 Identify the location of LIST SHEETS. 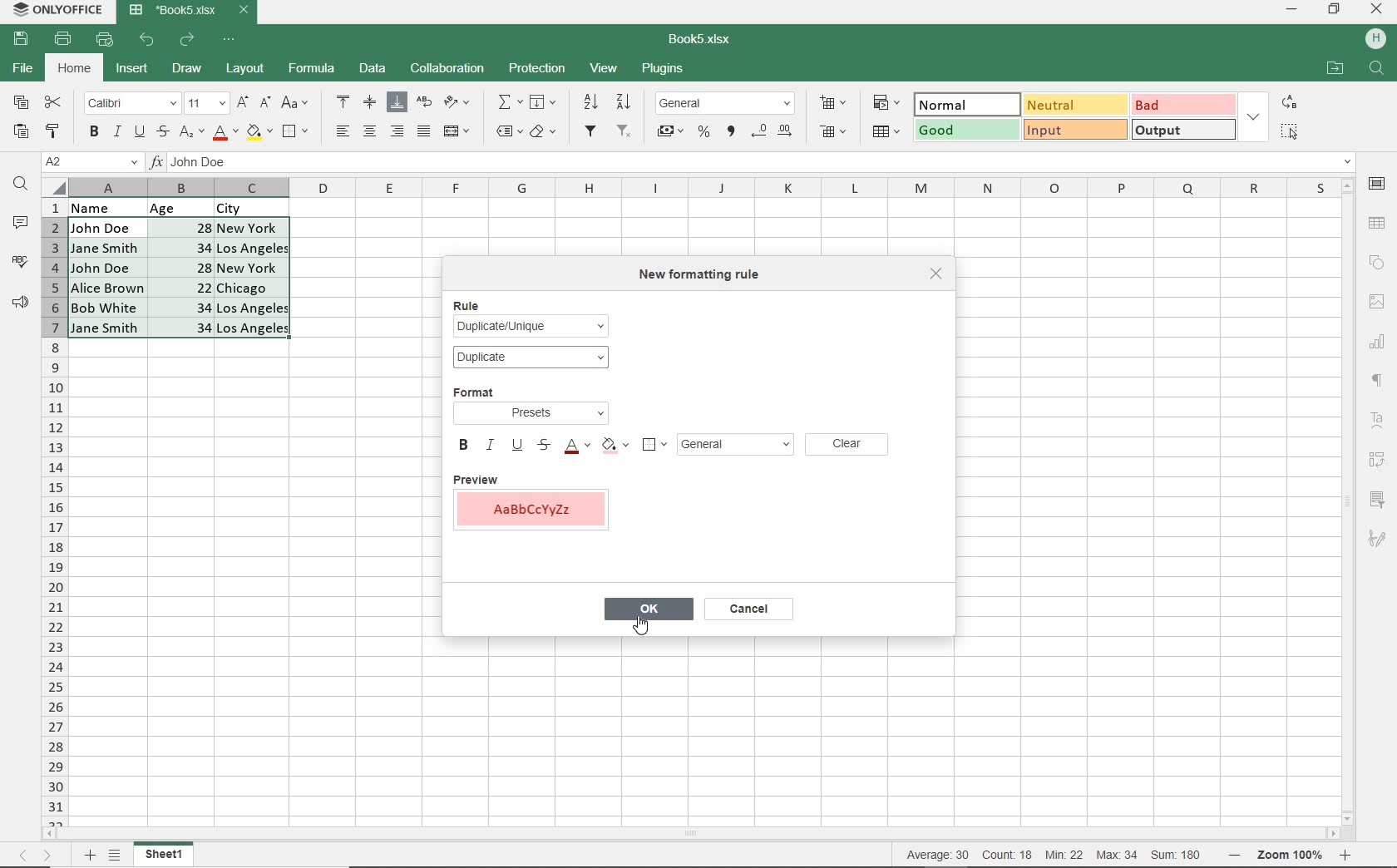
(118, 856).